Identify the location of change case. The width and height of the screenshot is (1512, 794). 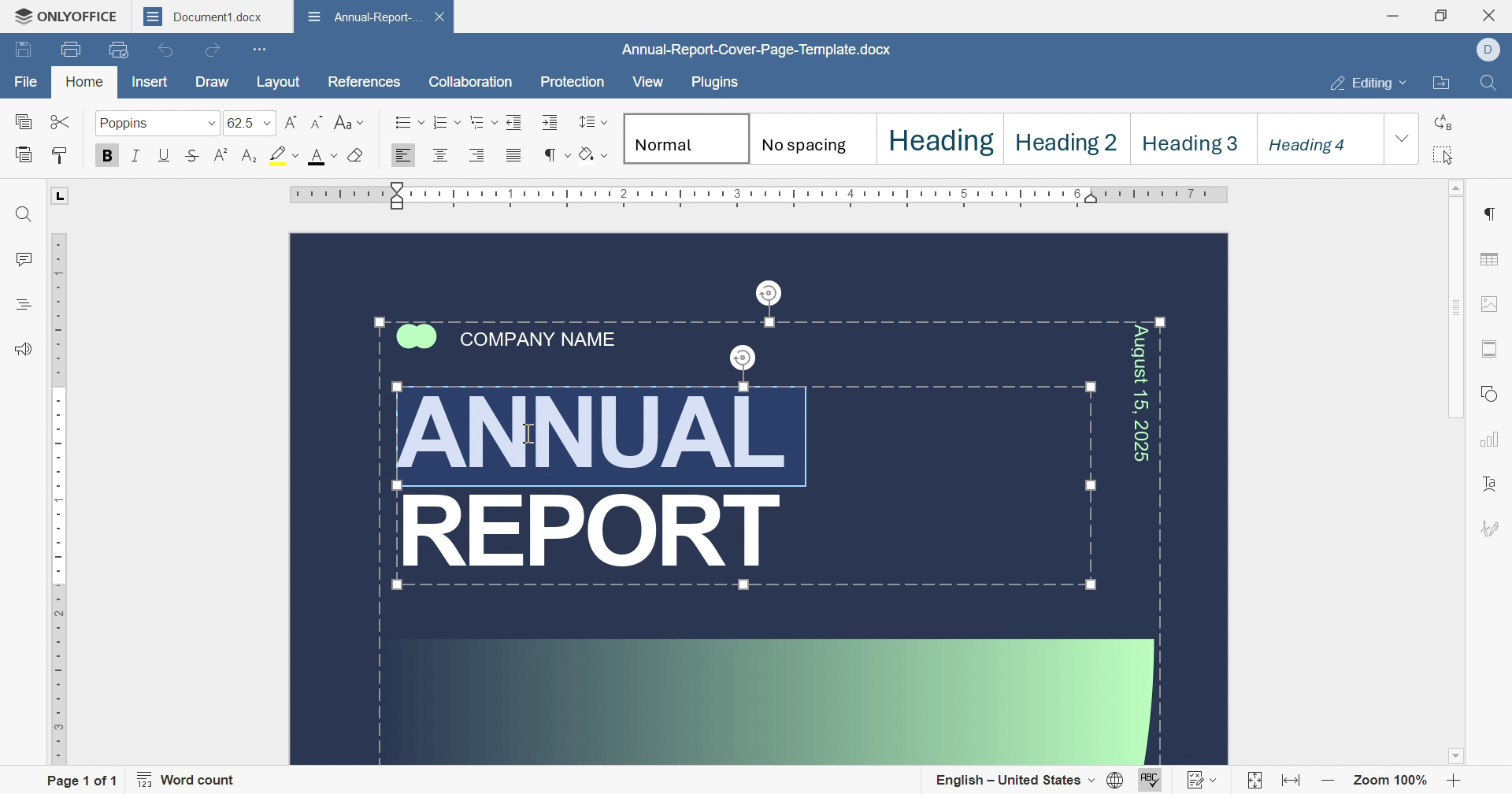
(350, 121).